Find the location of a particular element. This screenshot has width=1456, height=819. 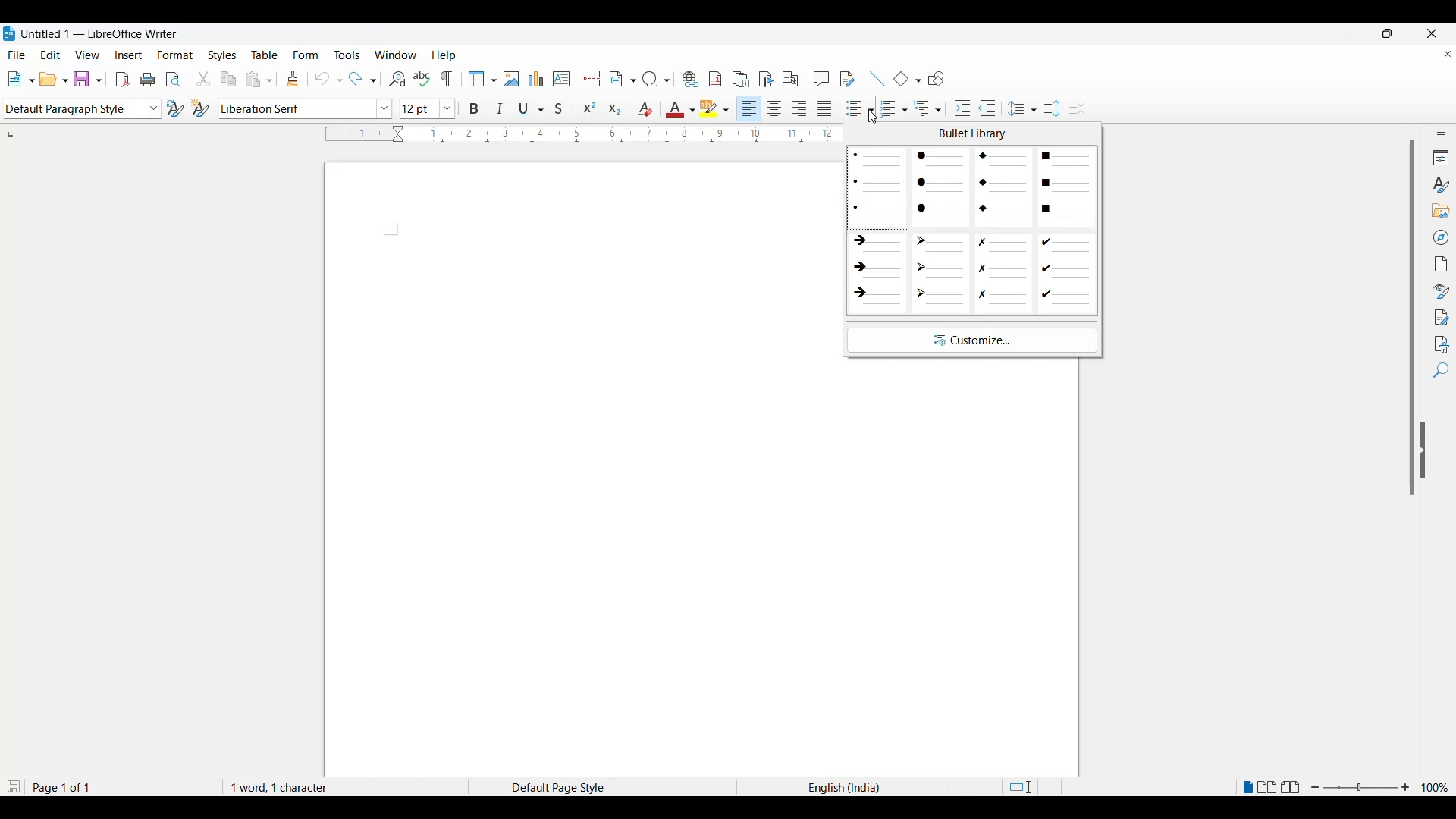

collapse is located at coordinates (1428, 451).